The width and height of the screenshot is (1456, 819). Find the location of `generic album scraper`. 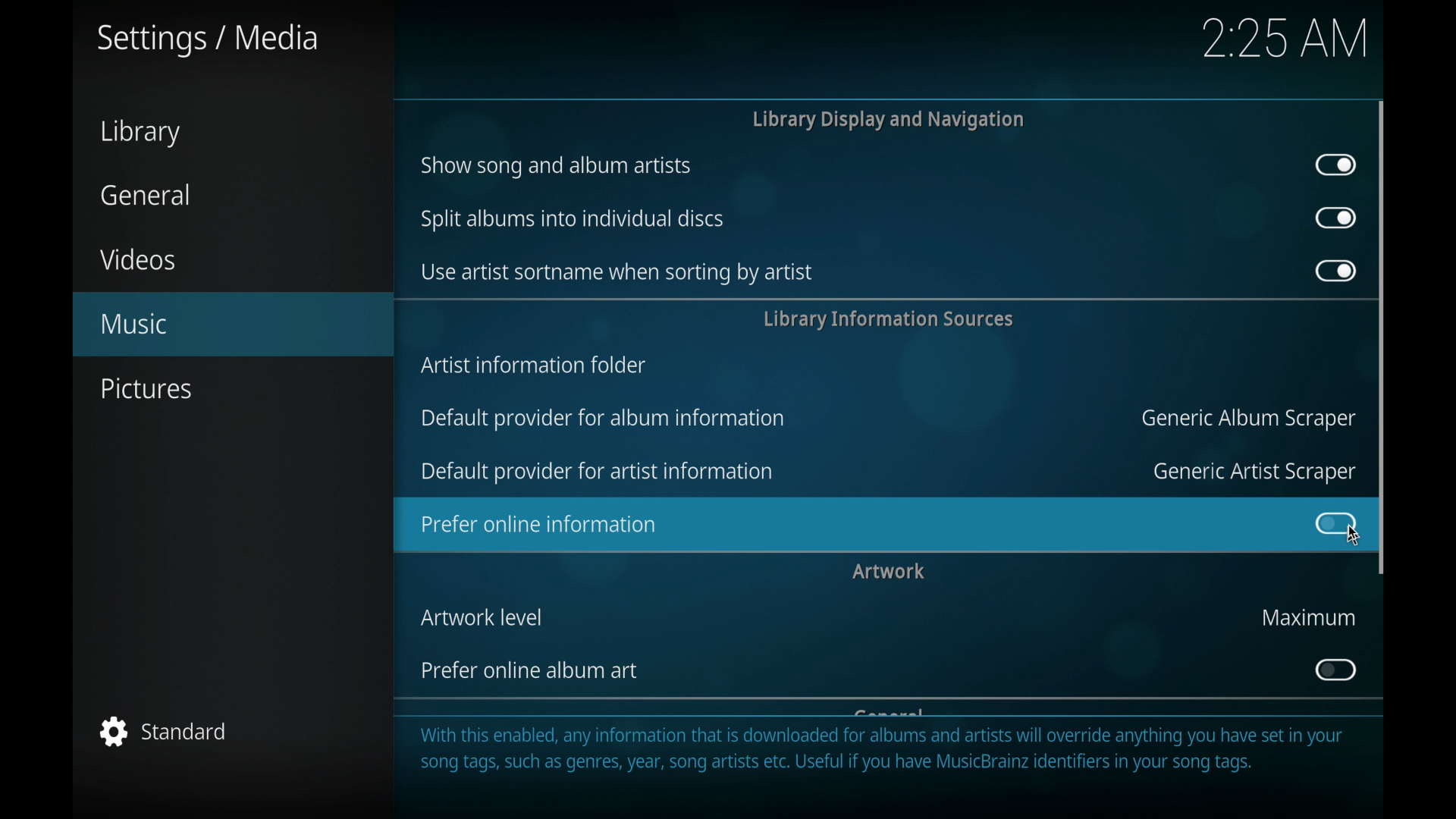

generic album scraper is located at coordinates (1247, 419).